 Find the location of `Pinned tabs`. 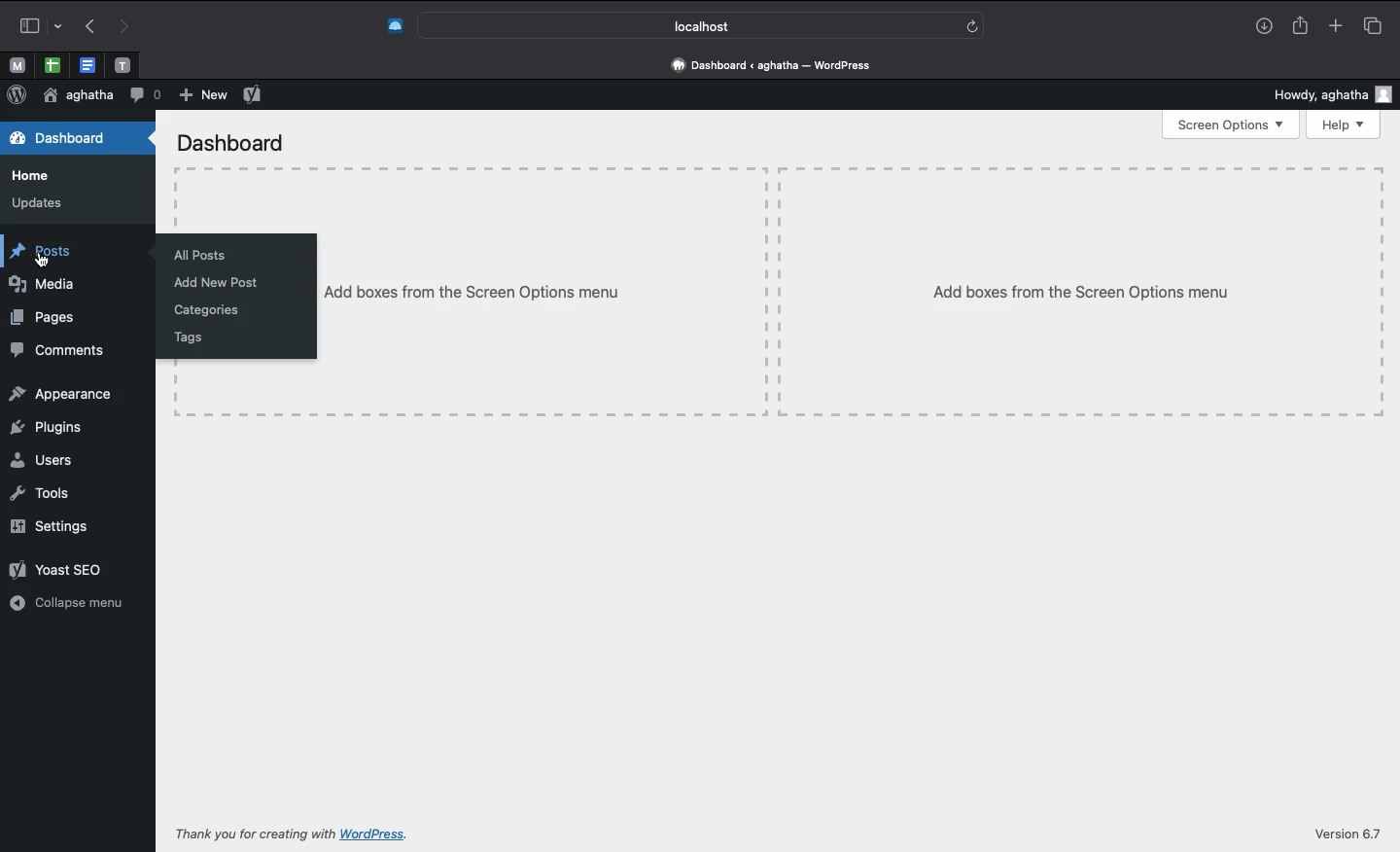

Pinned tabs is located at coordinates (121, 65).